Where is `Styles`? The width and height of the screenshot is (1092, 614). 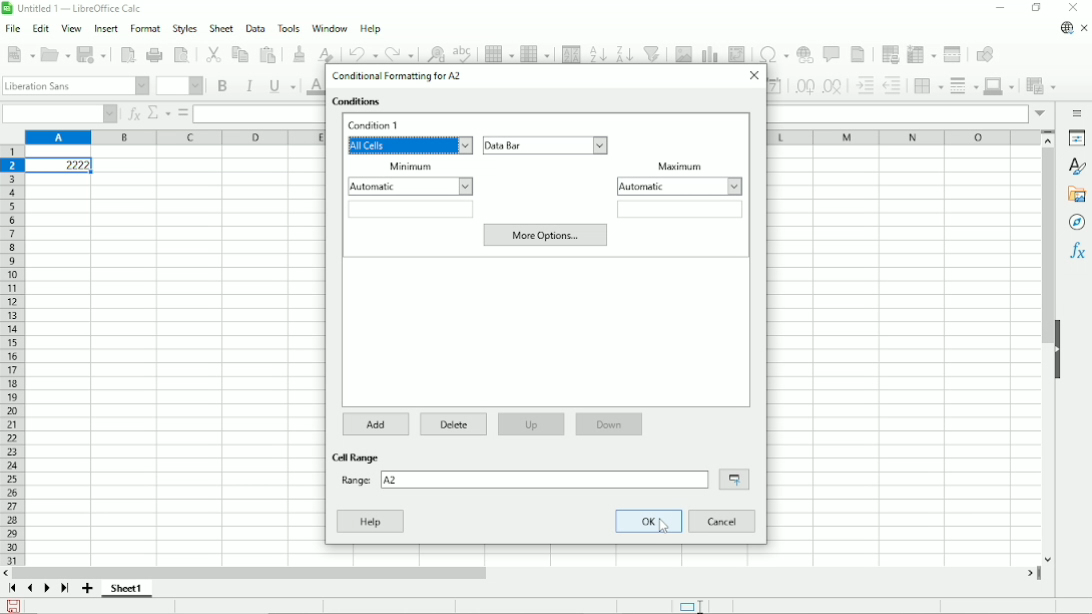 Styles is located at coordinates (1079, 167).